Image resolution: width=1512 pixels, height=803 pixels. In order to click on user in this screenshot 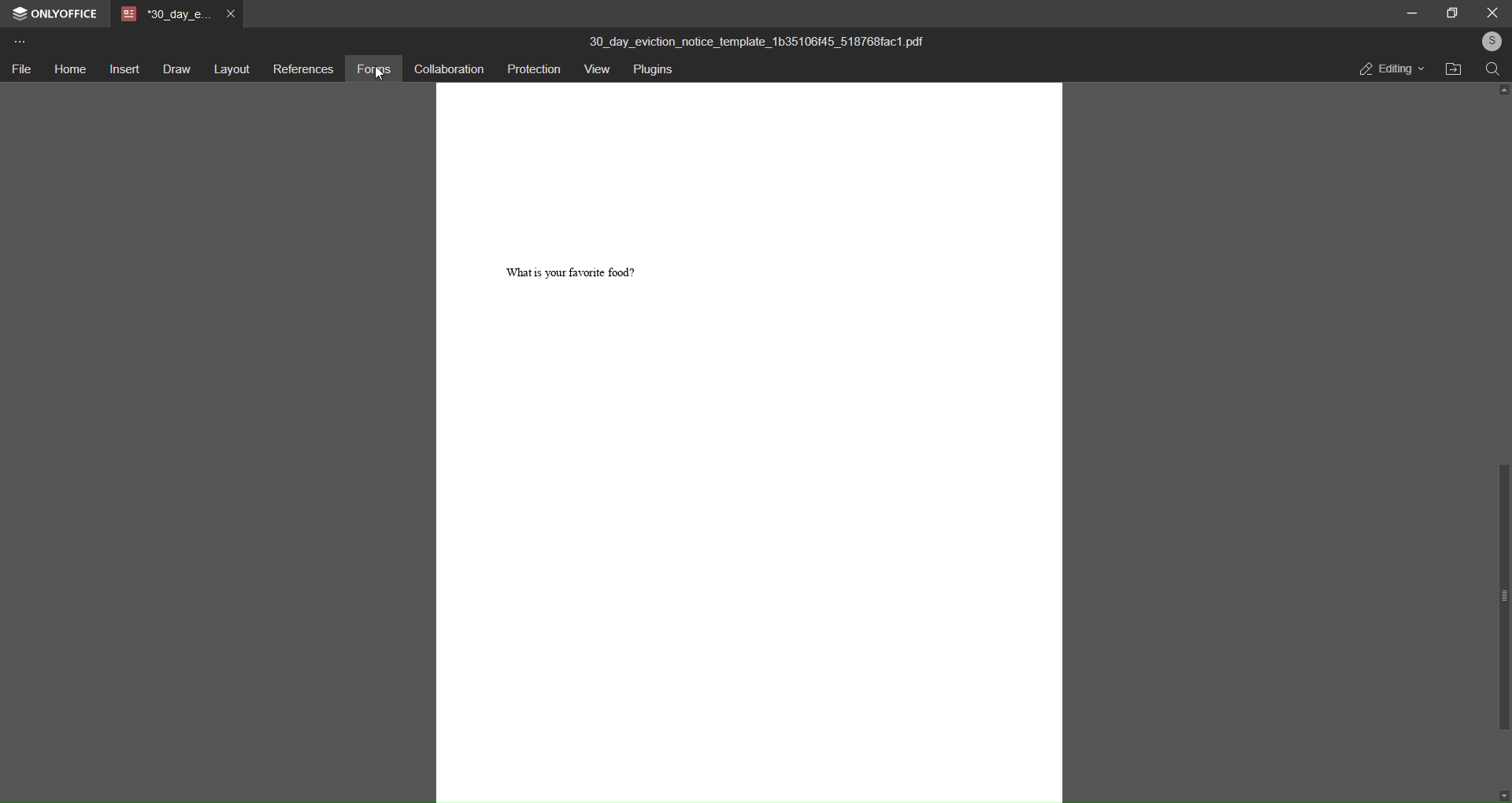, I will do `click(1490, 41)`.